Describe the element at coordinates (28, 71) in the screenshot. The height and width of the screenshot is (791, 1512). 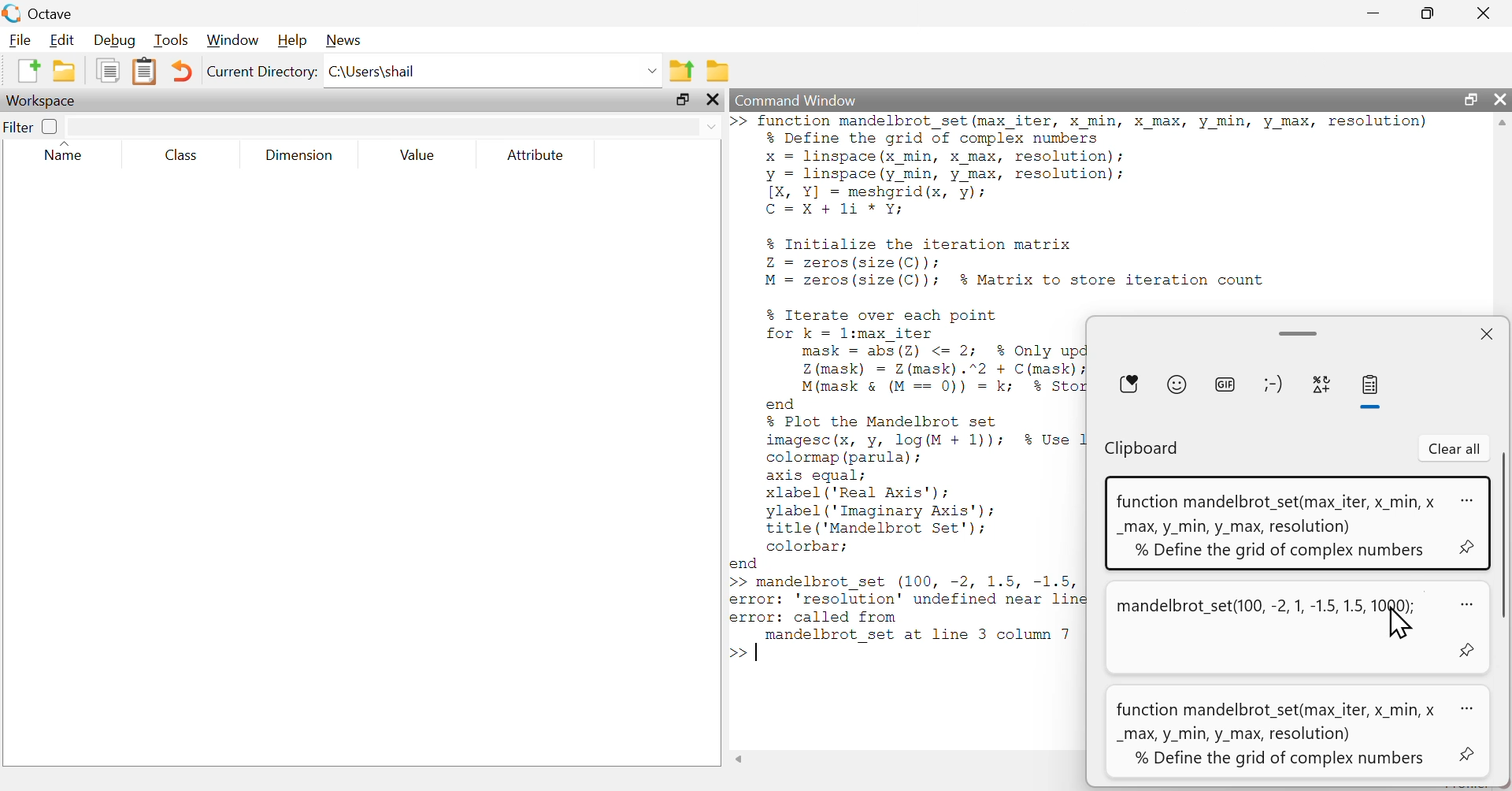
I see `New script` at that location.